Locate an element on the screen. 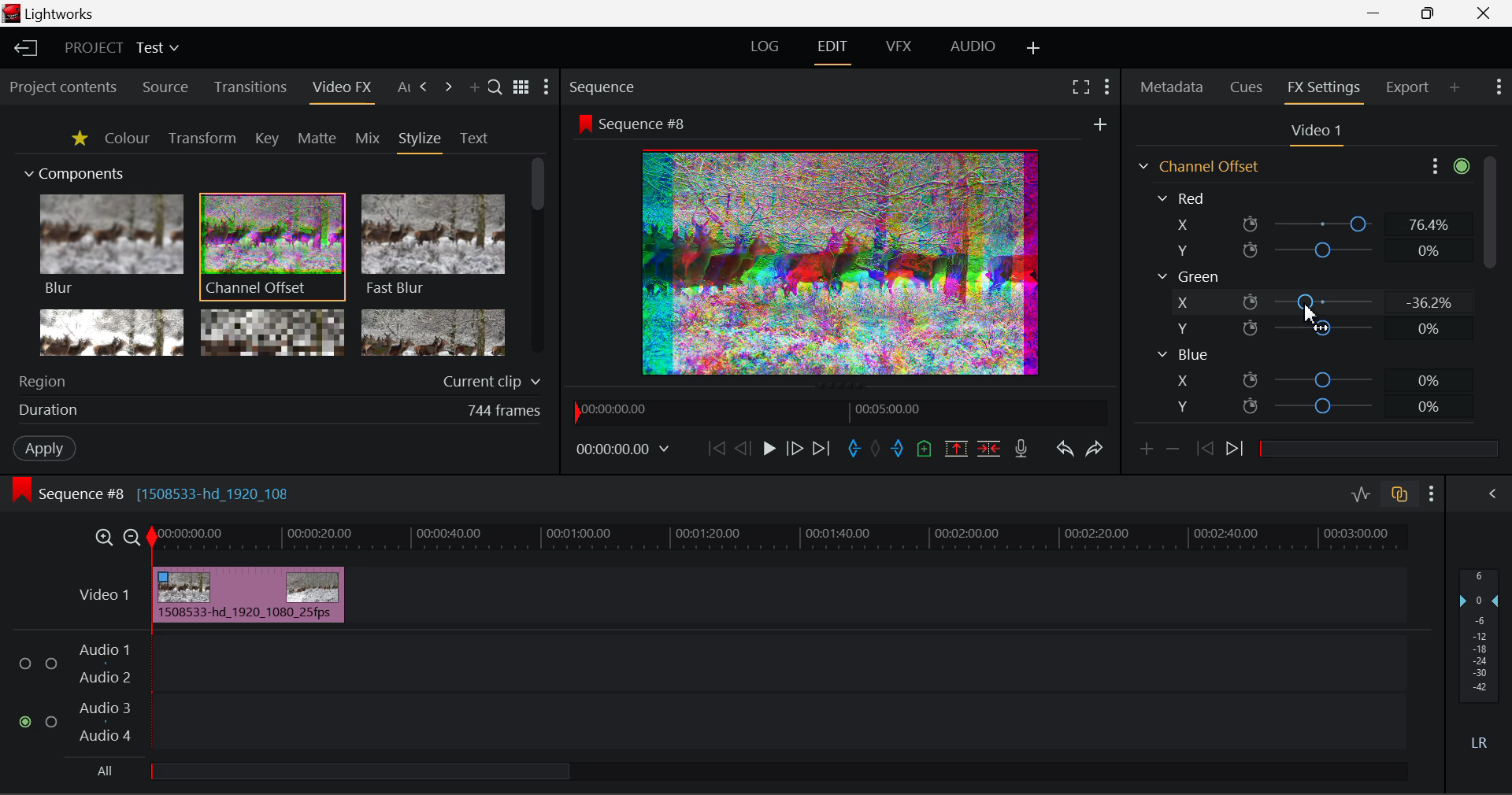 The height and width of the screenshot is (795, 1512). Show Settings is located at coordinates (1106, 89).